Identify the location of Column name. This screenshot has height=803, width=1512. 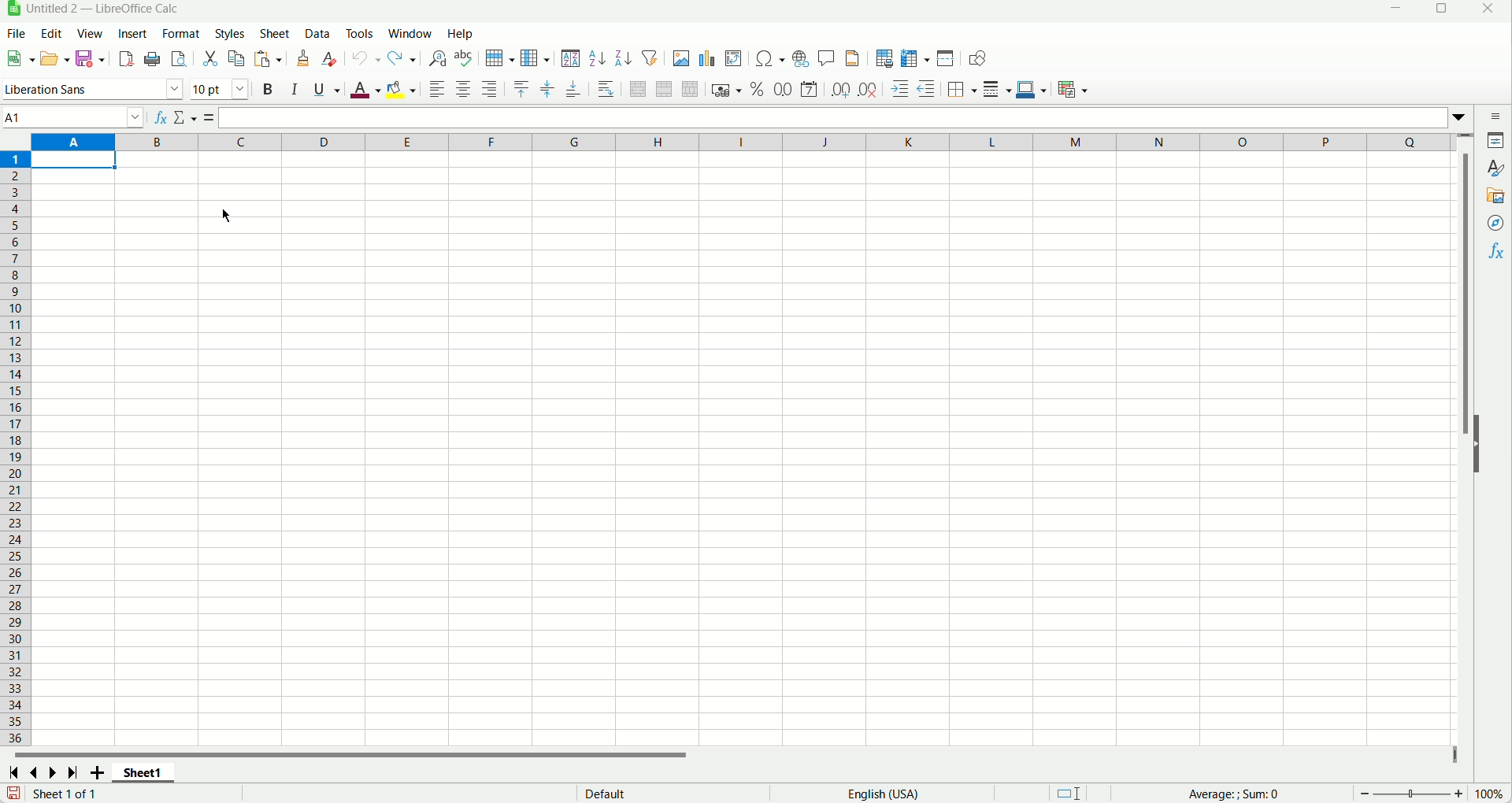
(746, 142).